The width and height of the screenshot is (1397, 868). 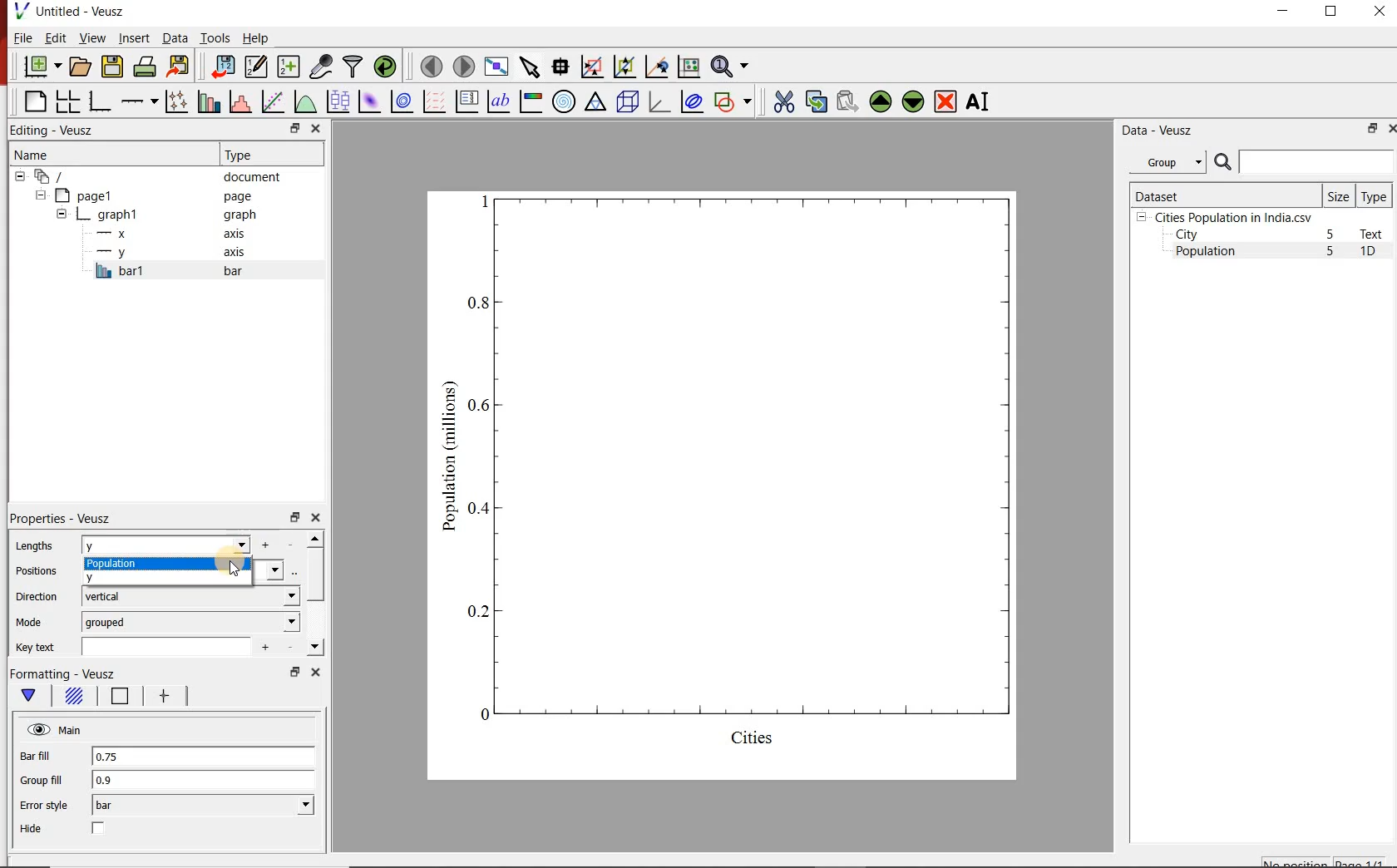 What do you see at coordinates (168, 565) in the screenshot?
I see `population` at bounding box center [168, 565].